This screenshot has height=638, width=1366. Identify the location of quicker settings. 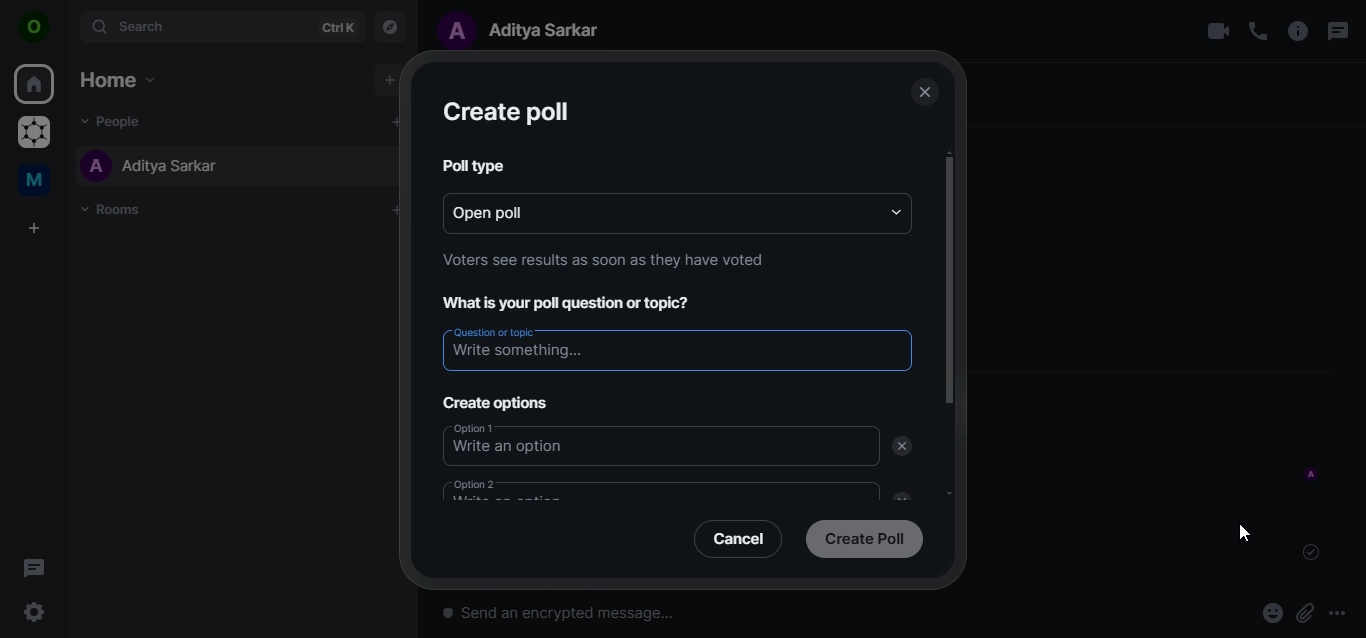
(37, 613).